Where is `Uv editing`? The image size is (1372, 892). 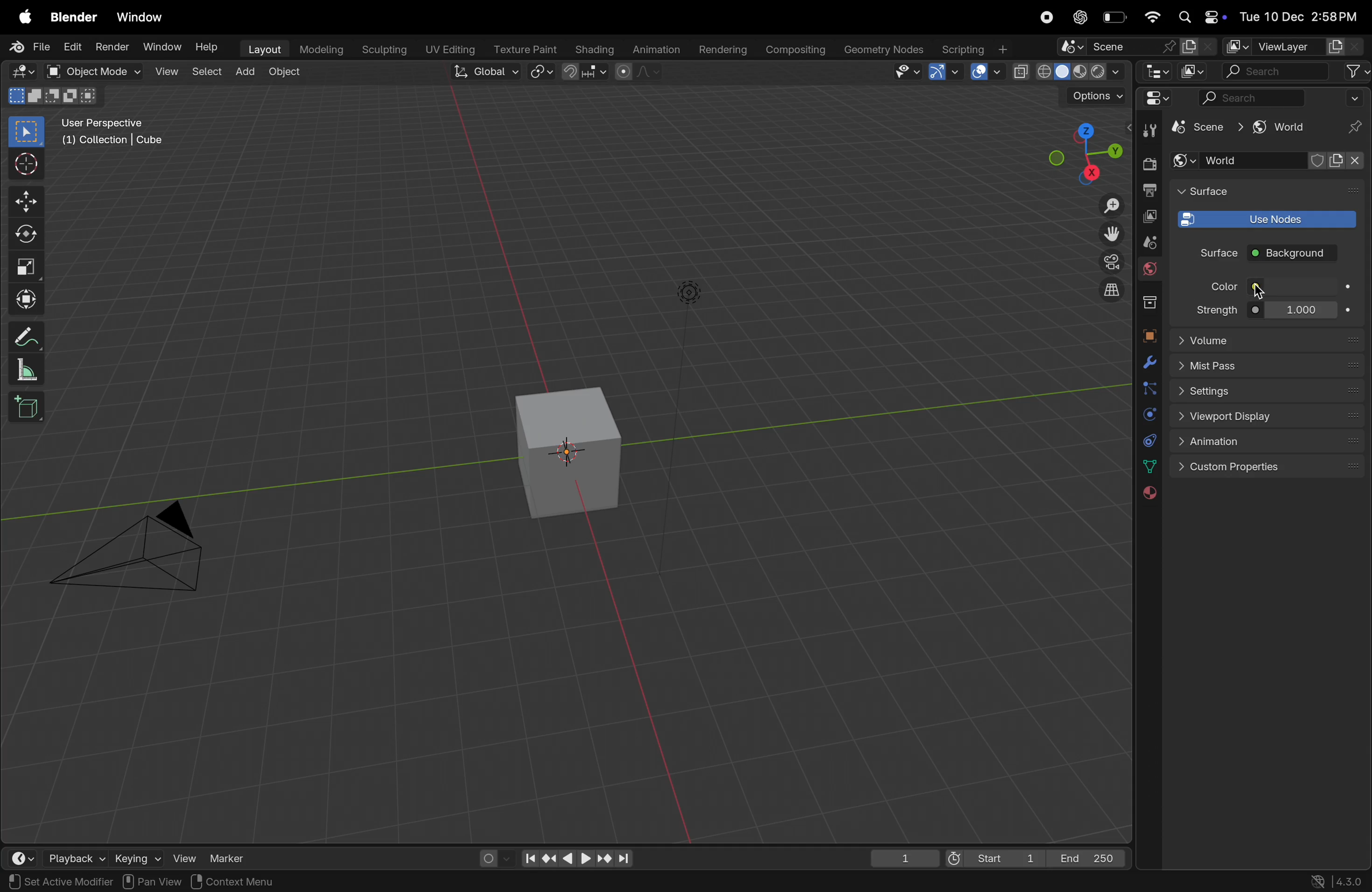
Uv editing is located at coordinates (448, 51).